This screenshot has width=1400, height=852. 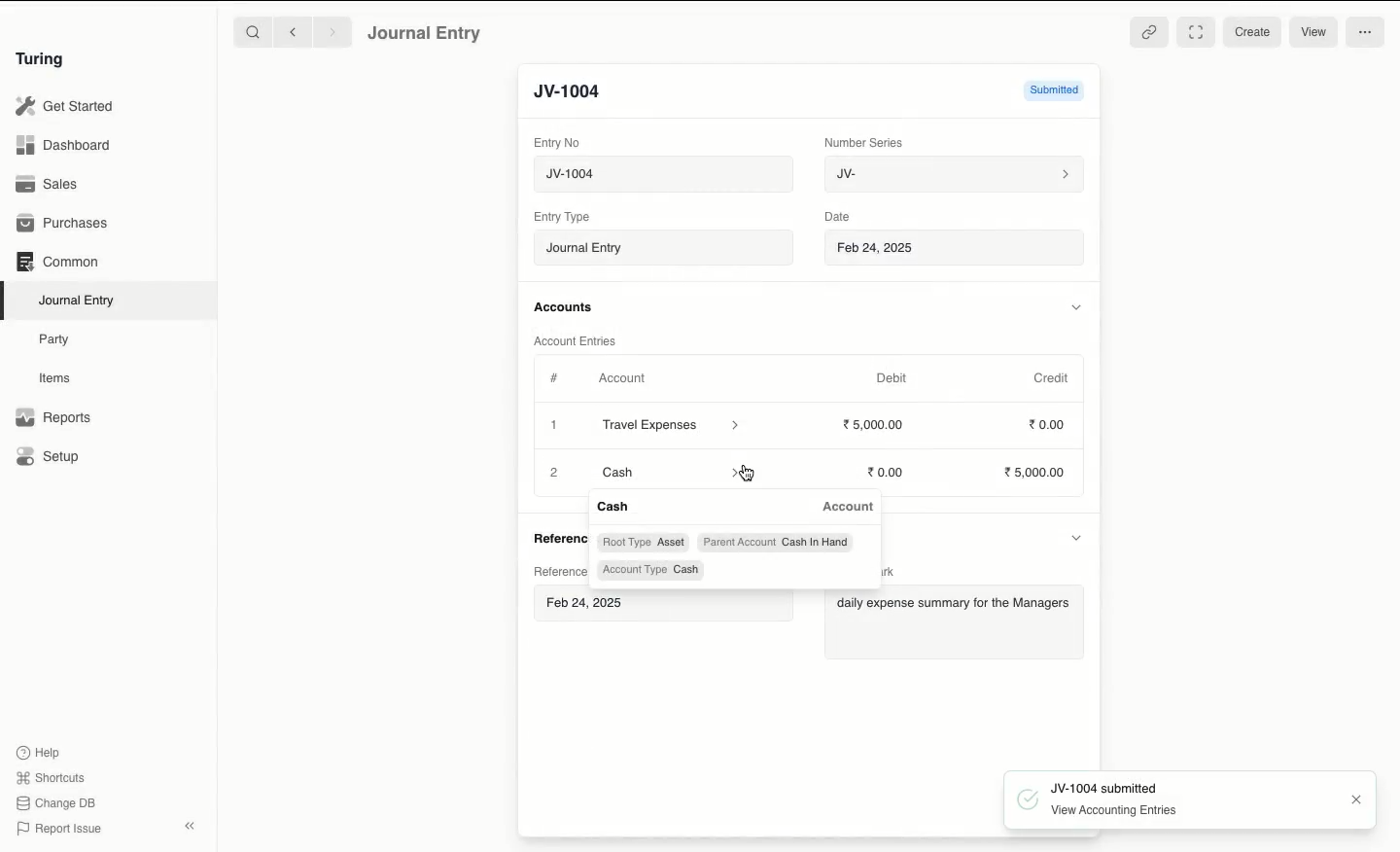 What do you see at coordinates (1316, 29) in the screenshot?
I see `View` at bounding box center [1316, 29].